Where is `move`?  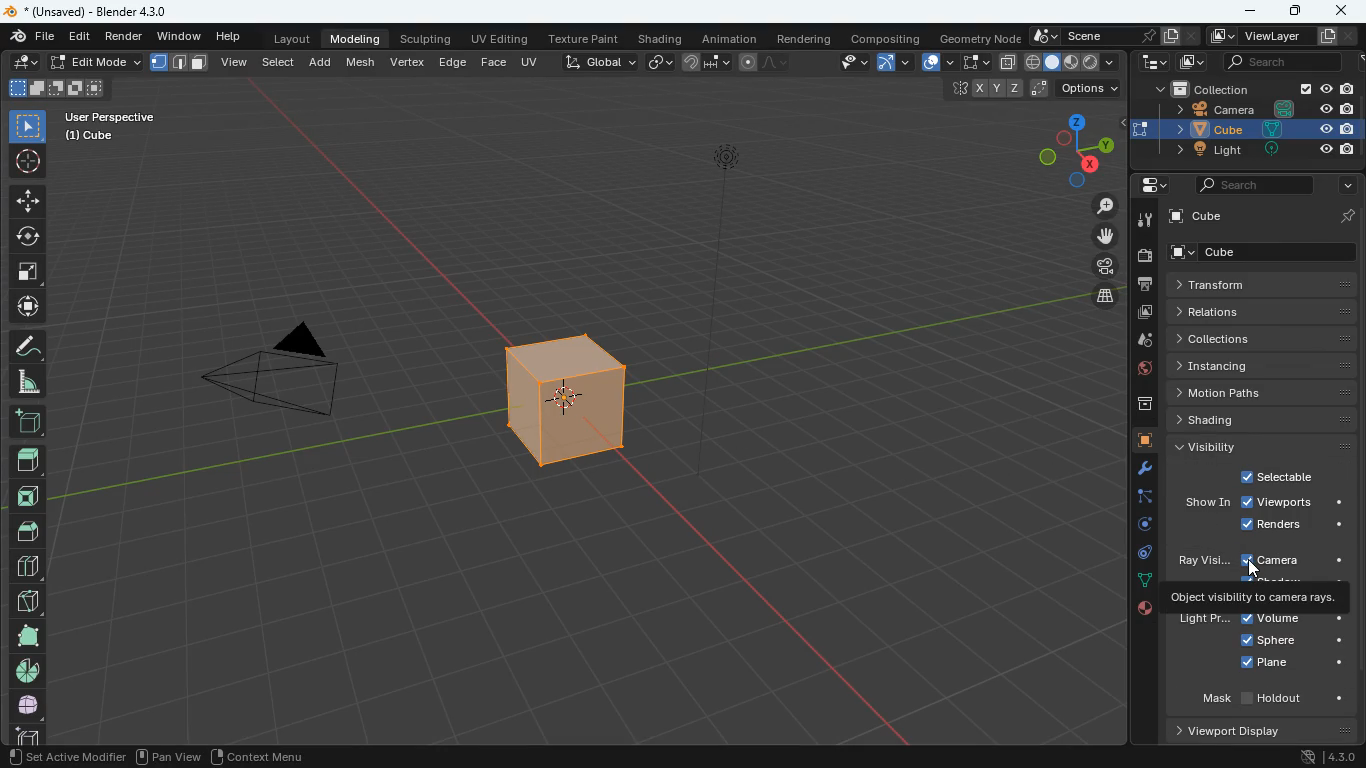
move is located at coordinates (1110, 238).